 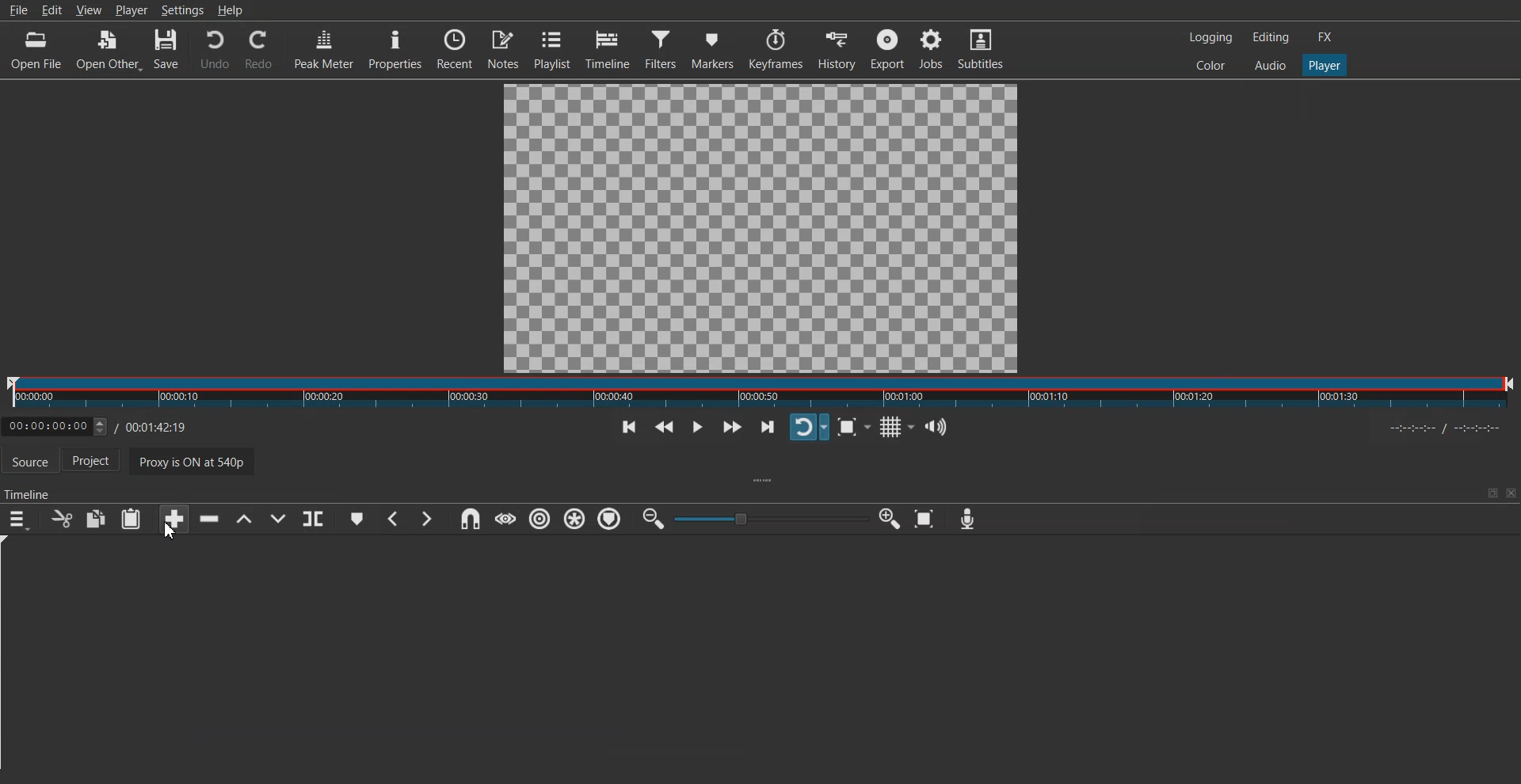 I want to click on Edit, so click(x=51, y=10).